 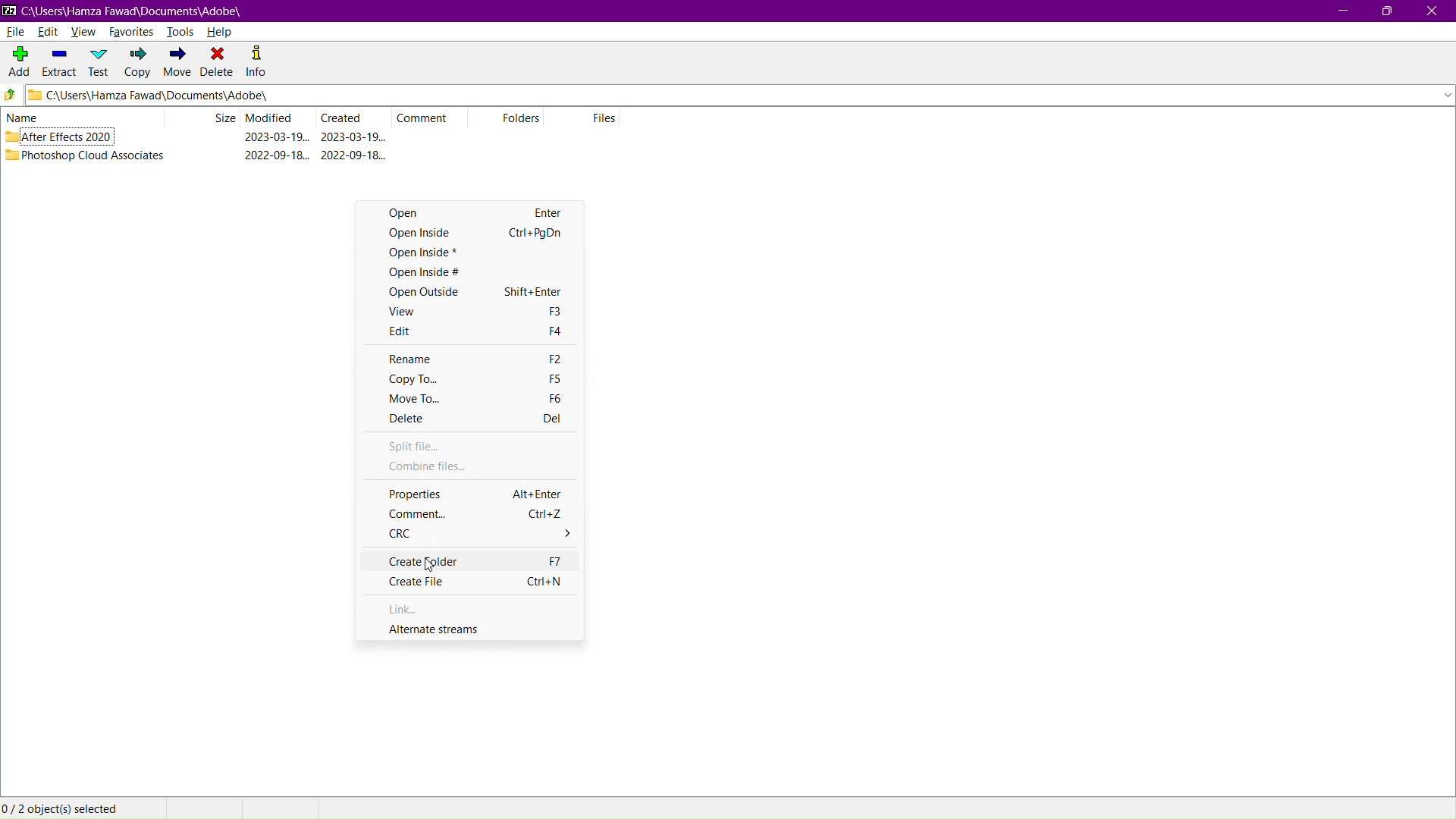 What do you see at coordinates (468, 607) in the screenshot?
I see `Link` at bounding box center [468, 607].